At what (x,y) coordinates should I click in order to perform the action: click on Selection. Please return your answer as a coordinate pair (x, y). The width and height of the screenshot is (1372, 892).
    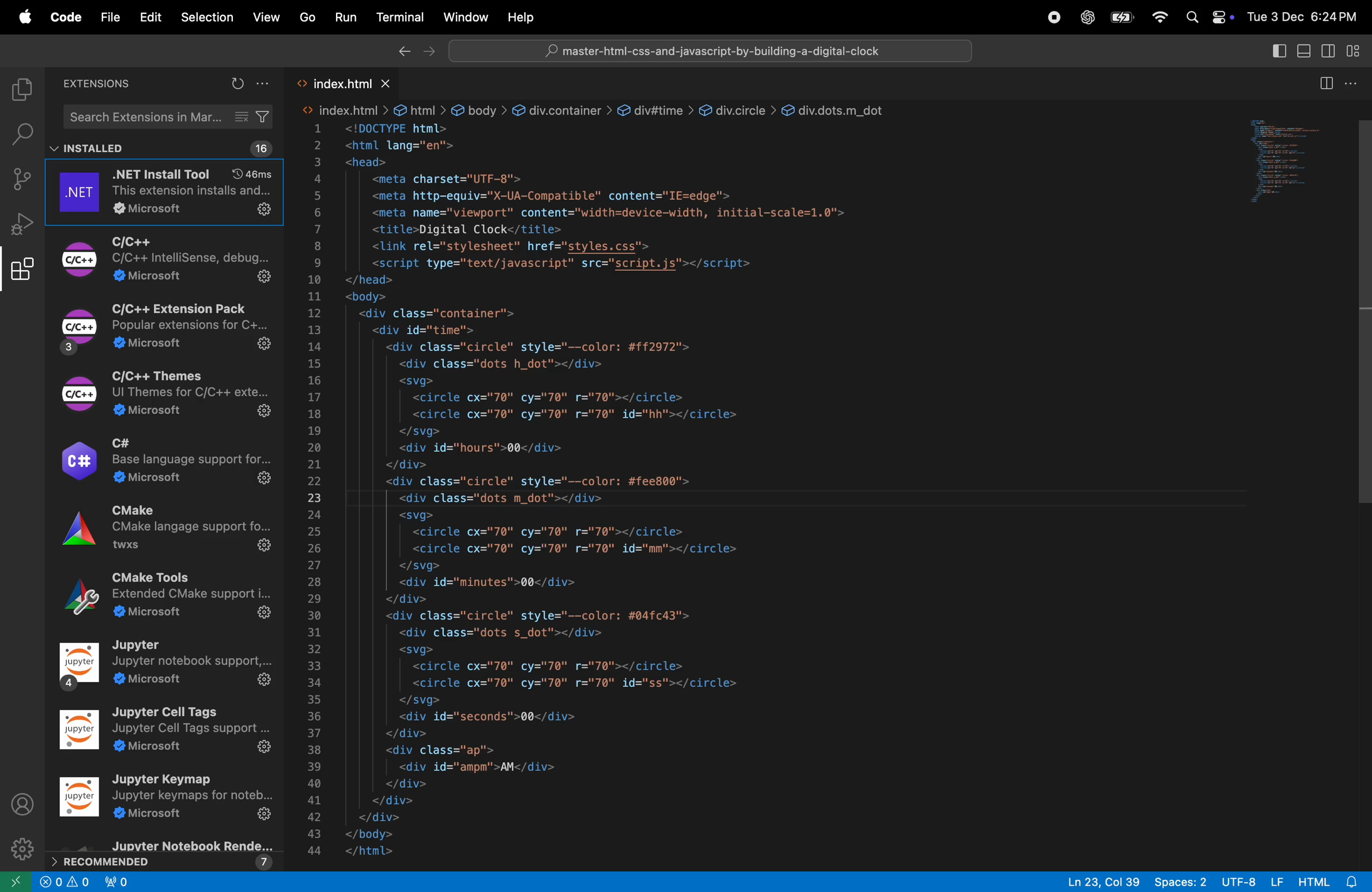
    Looking at the image, I should click on (205, 18).